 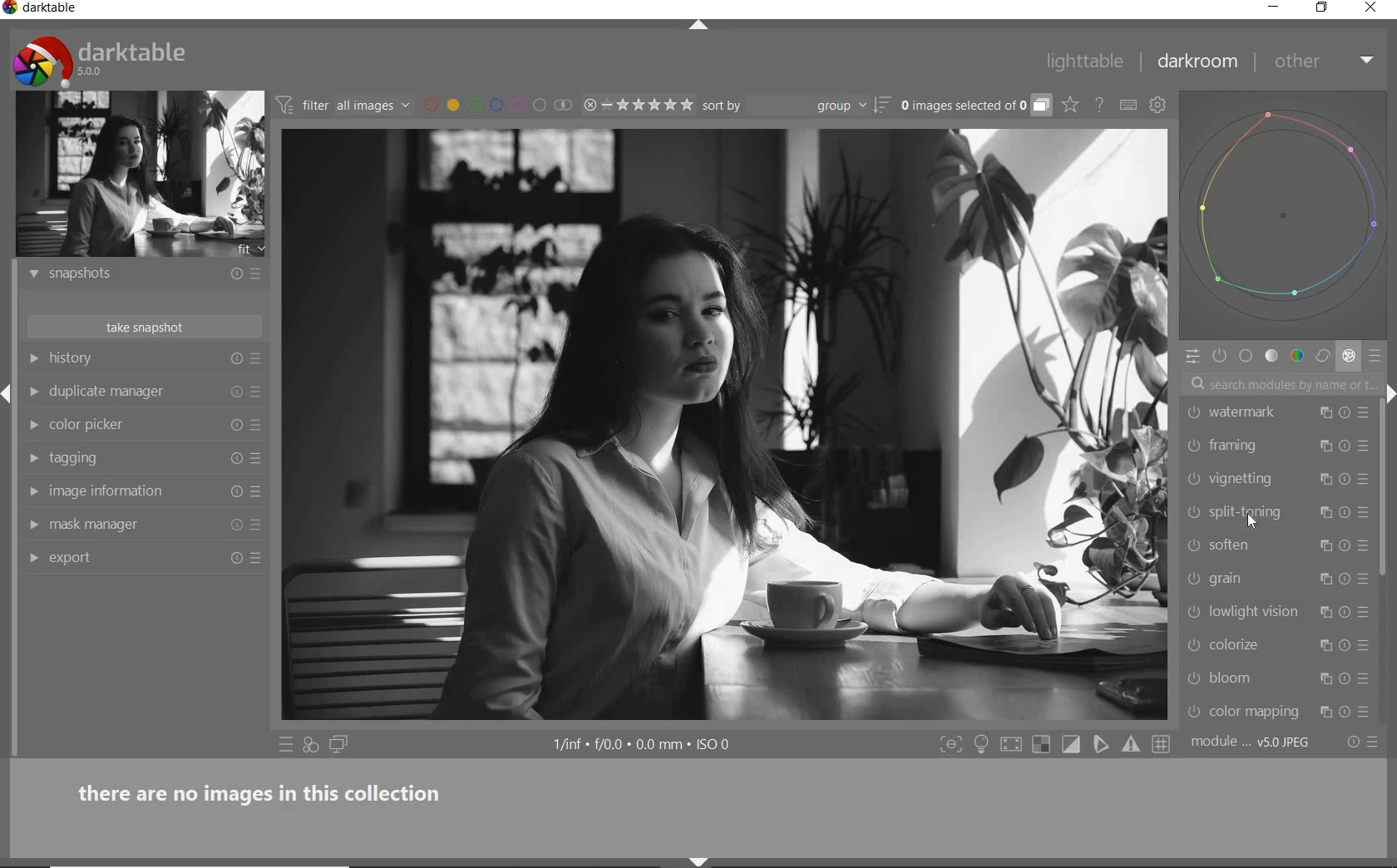 What do you see at coordinates (1367, 680) in the screenshot?
I see `preset and preferences` at bounding box center [1367, 680].